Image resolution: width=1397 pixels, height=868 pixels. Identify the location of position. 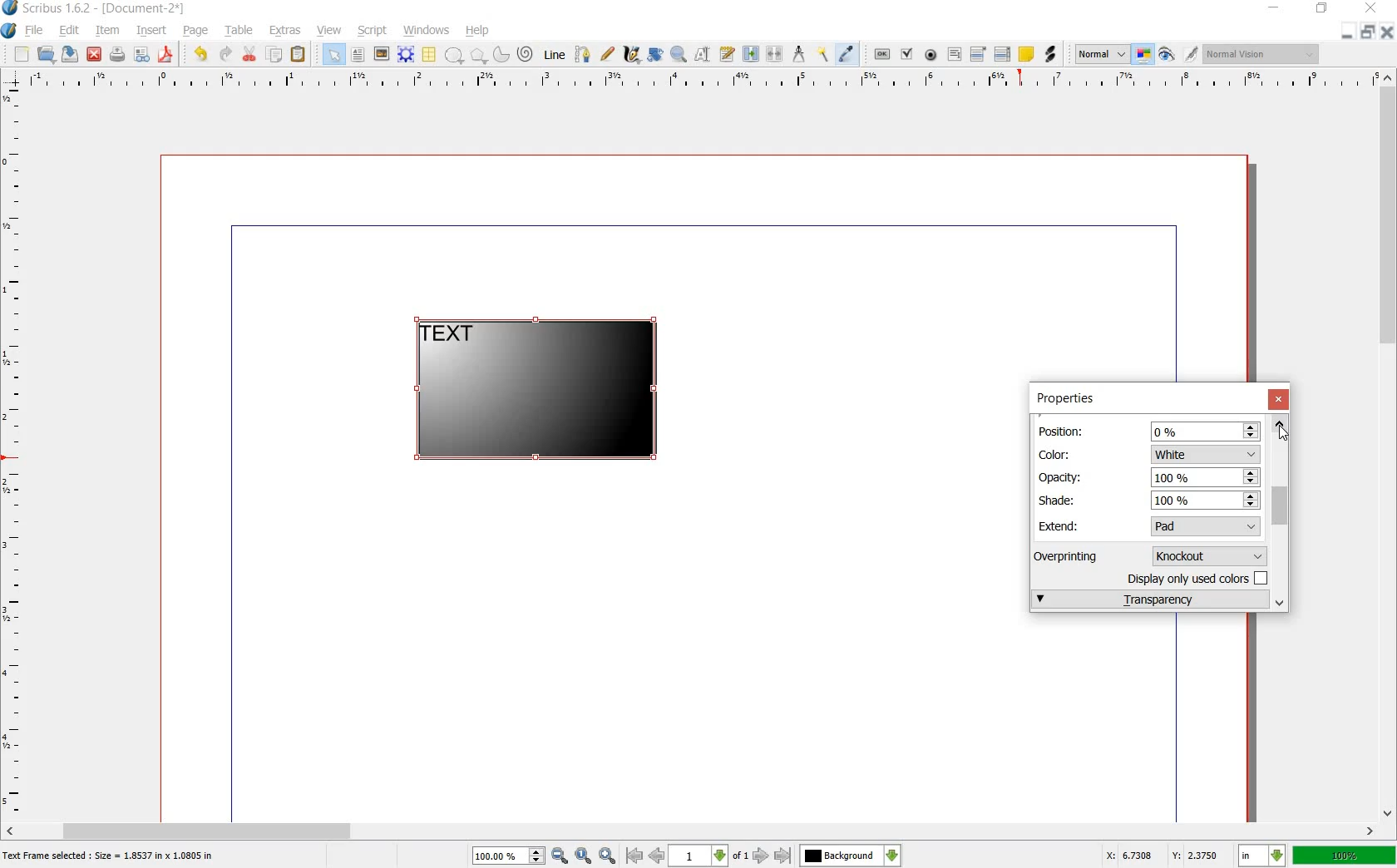
(1064, 430).